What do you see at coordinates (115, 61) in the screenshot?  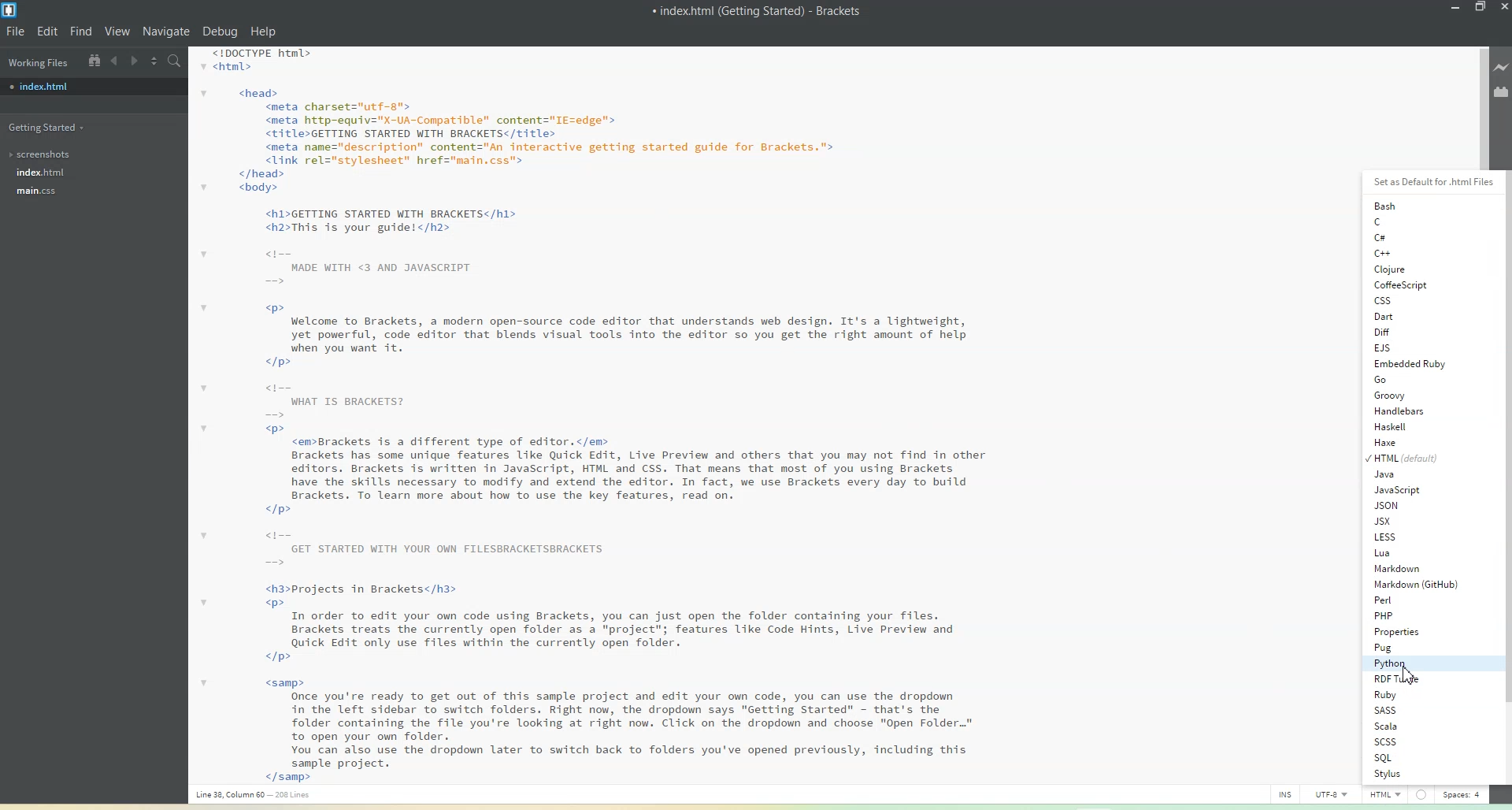 I see `Navigate Backward` at bounding box center [115, 61].